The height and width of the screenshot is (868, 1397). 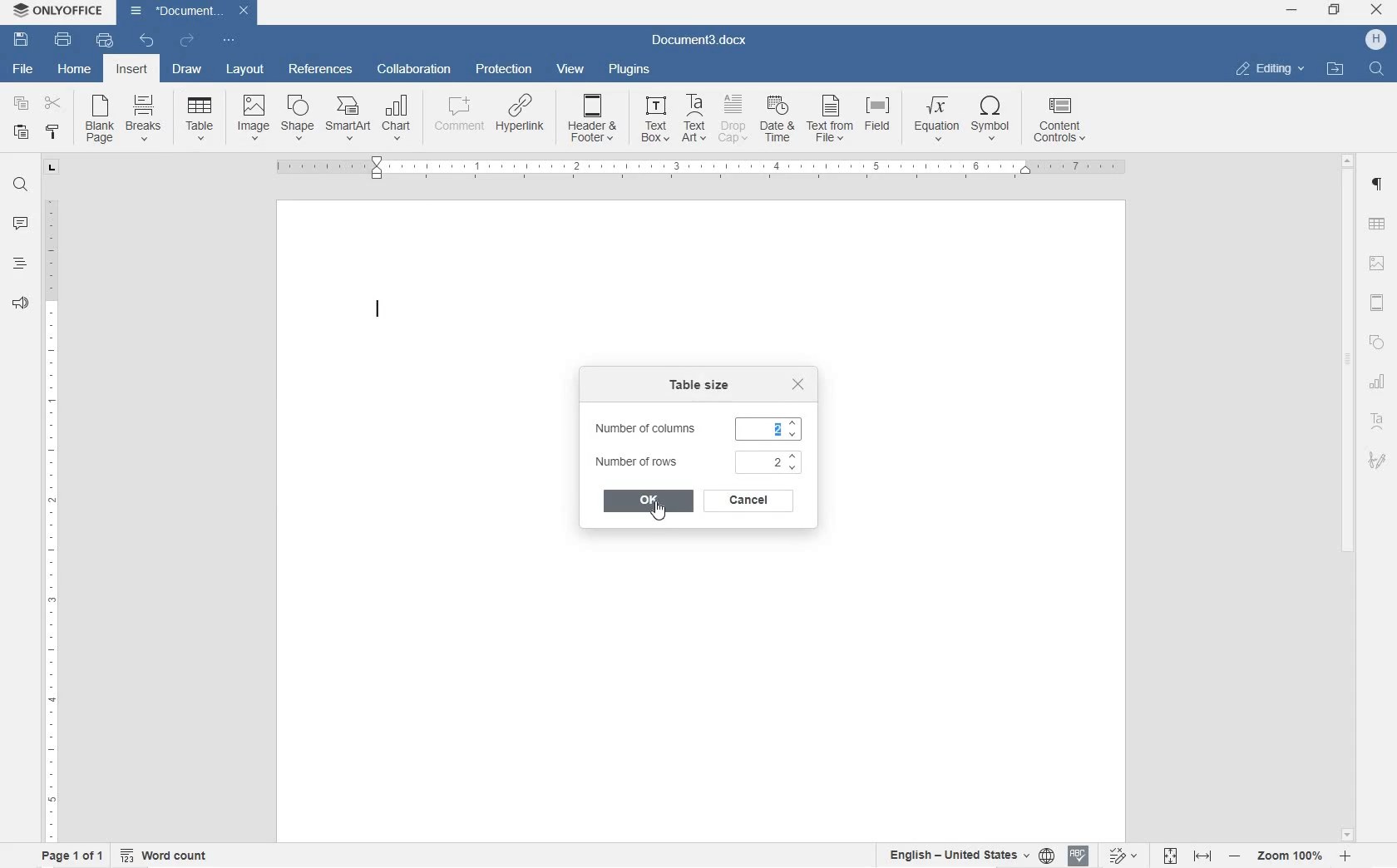 What do you see at coordinates (1291, 855) in the screenshot?
I see `ZOOM IN OR OUT` at bounding box center [1291, 855].